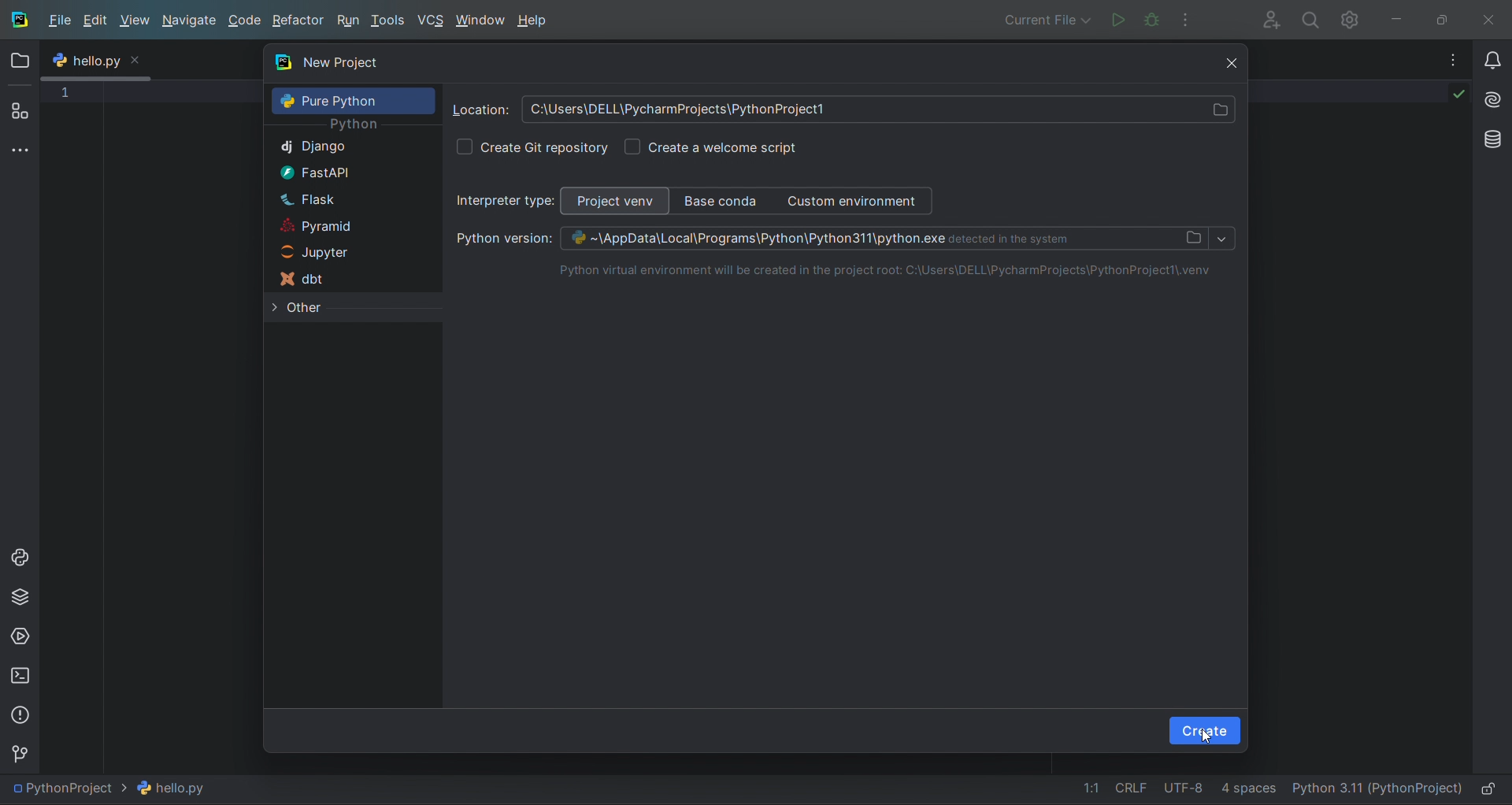  Describe the element at coordinates (1492, 789) in the screenshot. I see `lock` at that location.